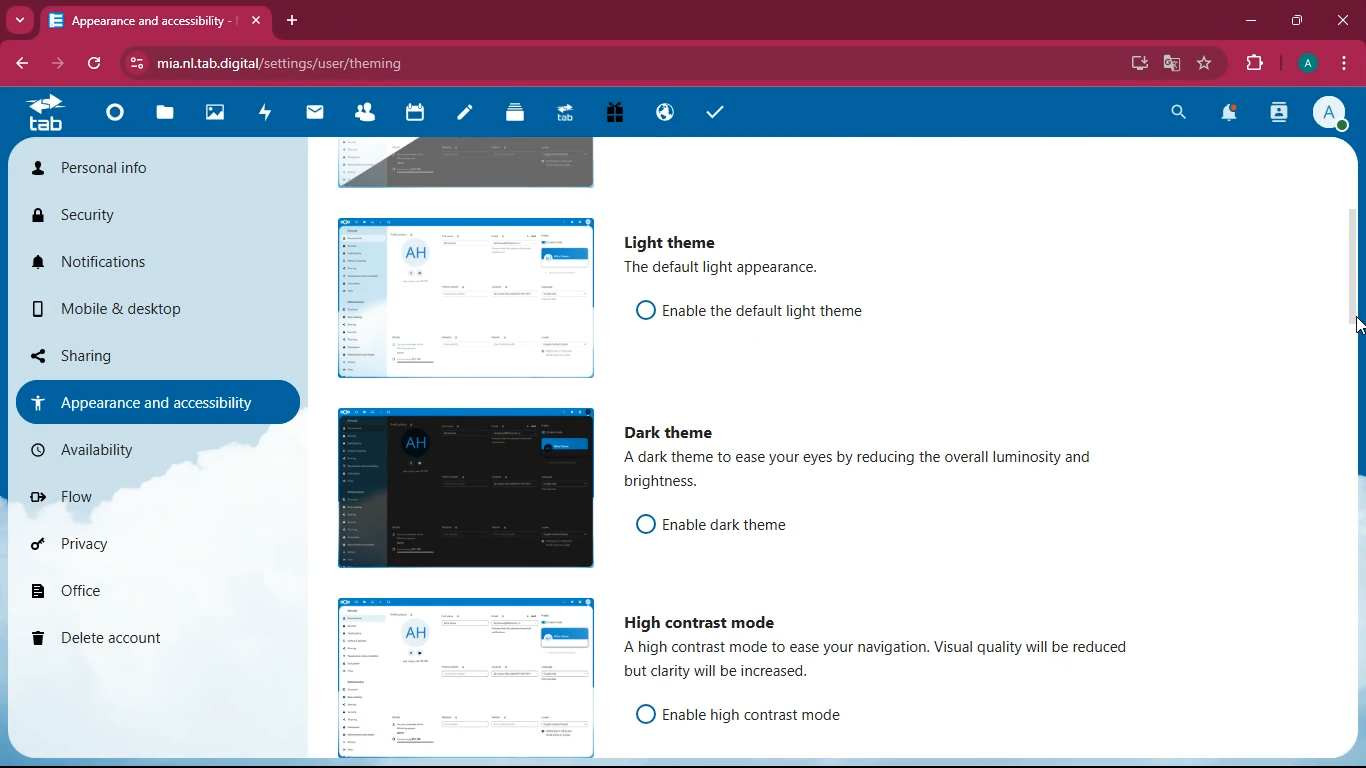  Describe the element at coordinates (1253, 24) in the screenshot. I see `minimize` at that location.